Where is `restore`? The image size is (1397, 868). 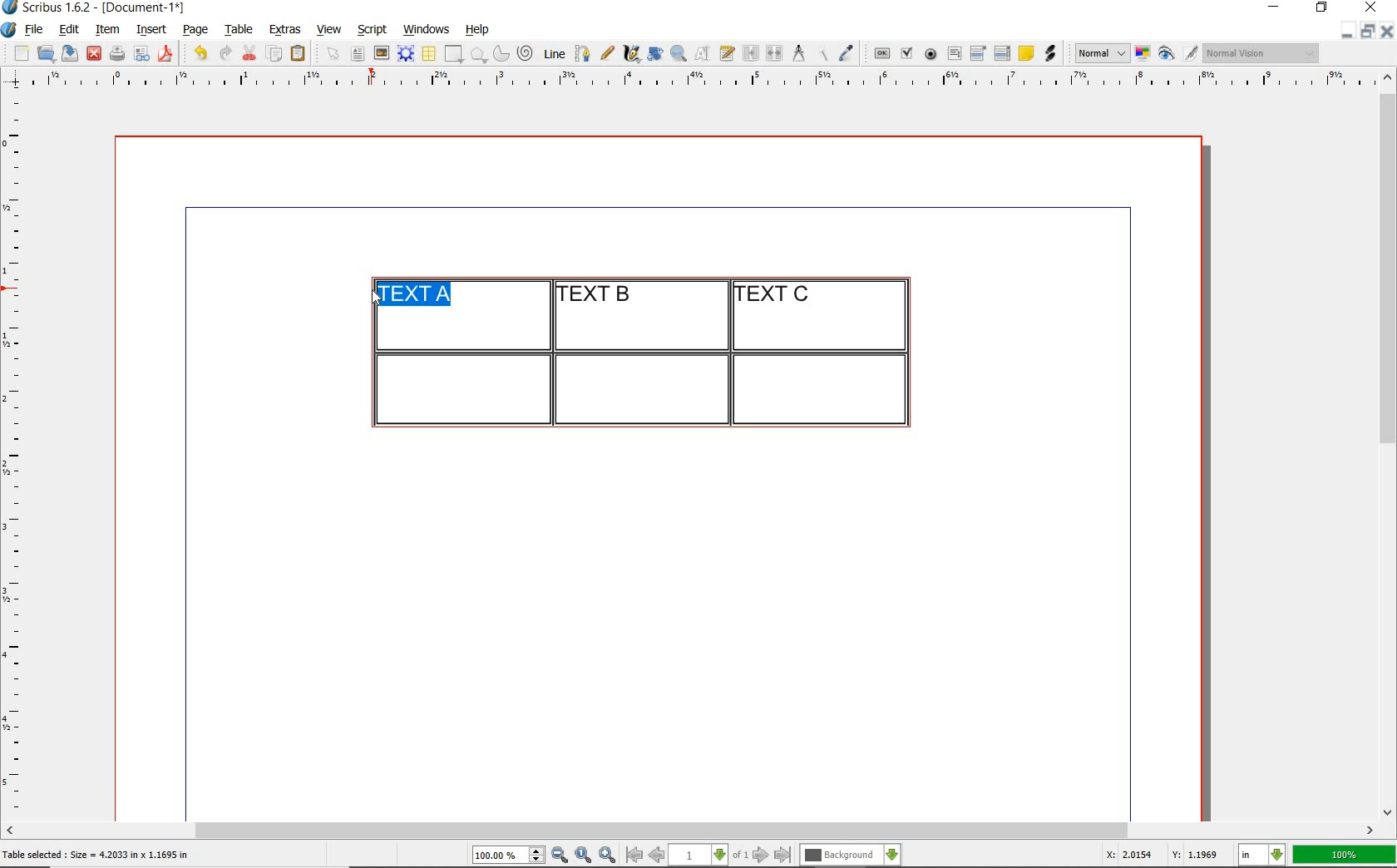 restore is located at coordinates (1322, 8).